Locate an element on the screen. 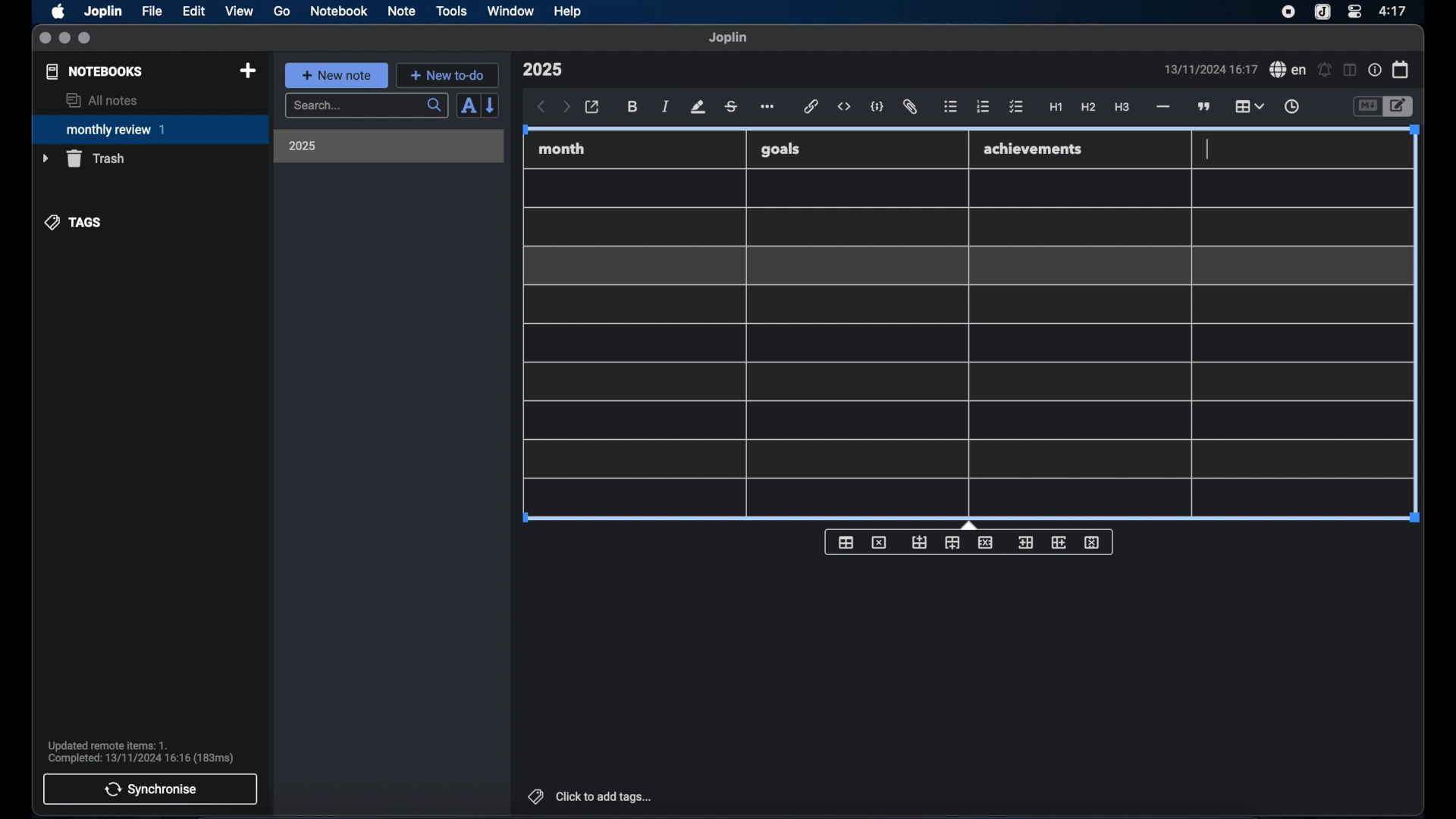 The height and width of the screenshot is (819, 1456). delete column is located at coordinates (1093, 543).